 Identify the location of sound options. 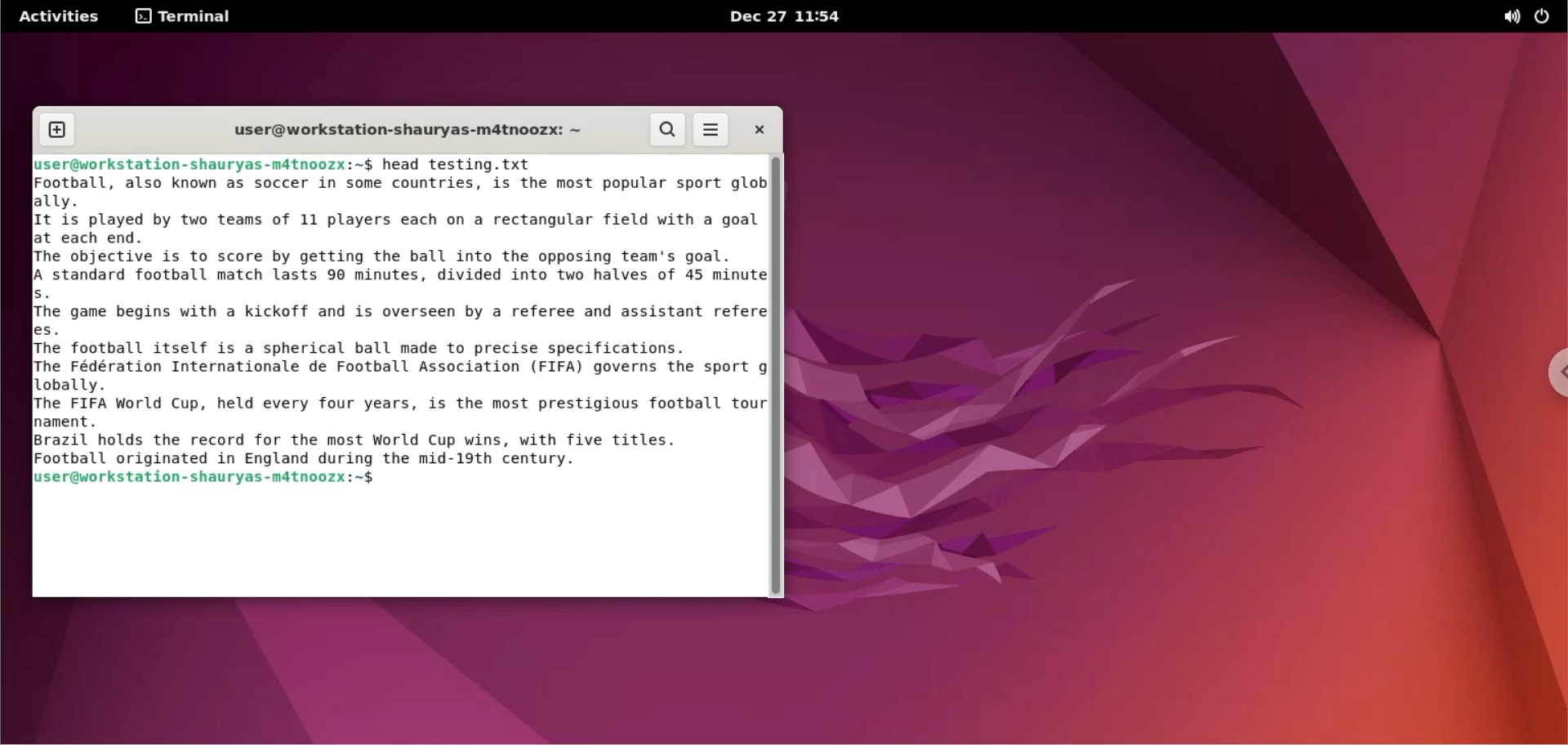
(1512, 17).